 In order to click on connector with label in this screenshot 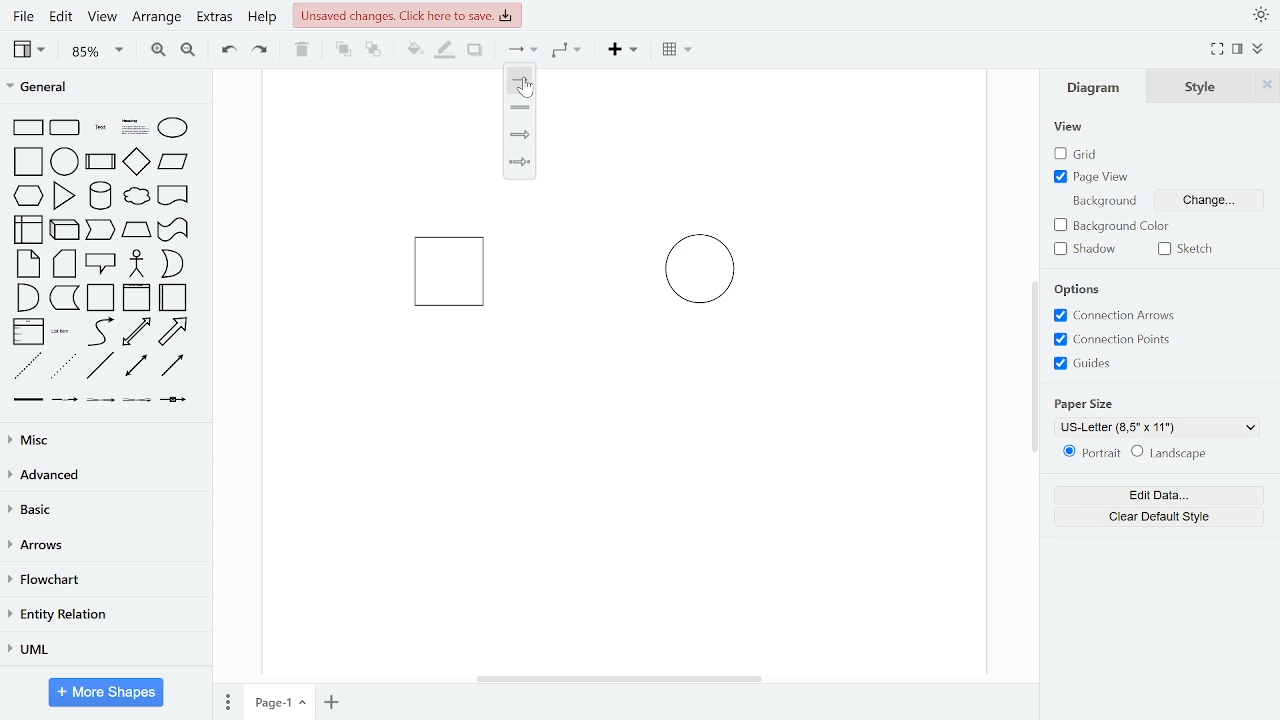, I will do `click(65, 400)`.